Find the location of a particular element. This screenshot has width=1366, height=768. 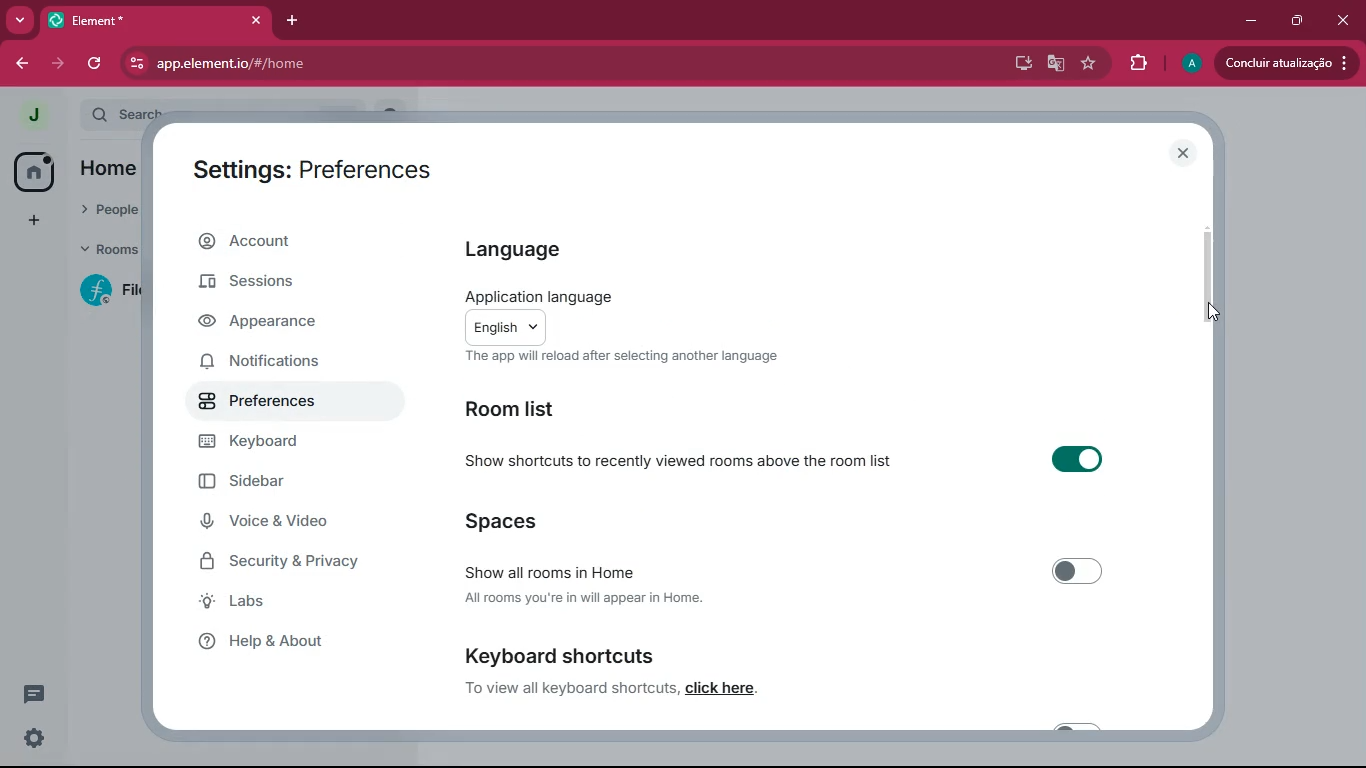

filecoin lotus implementation is located at coordinates (109, 290).